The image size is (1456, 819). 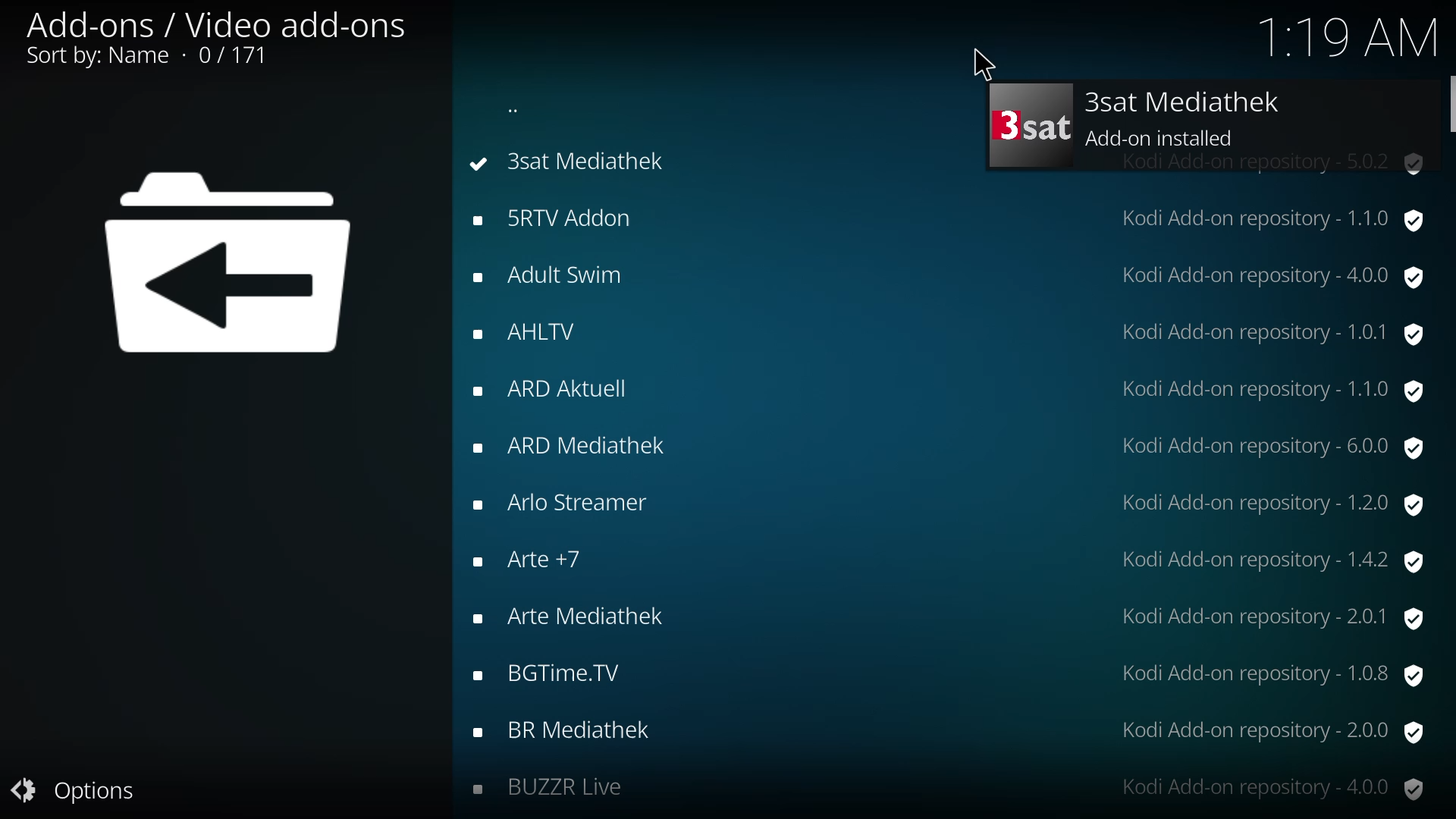 I want to click on add-on installed, so click(x=1212, y=134).